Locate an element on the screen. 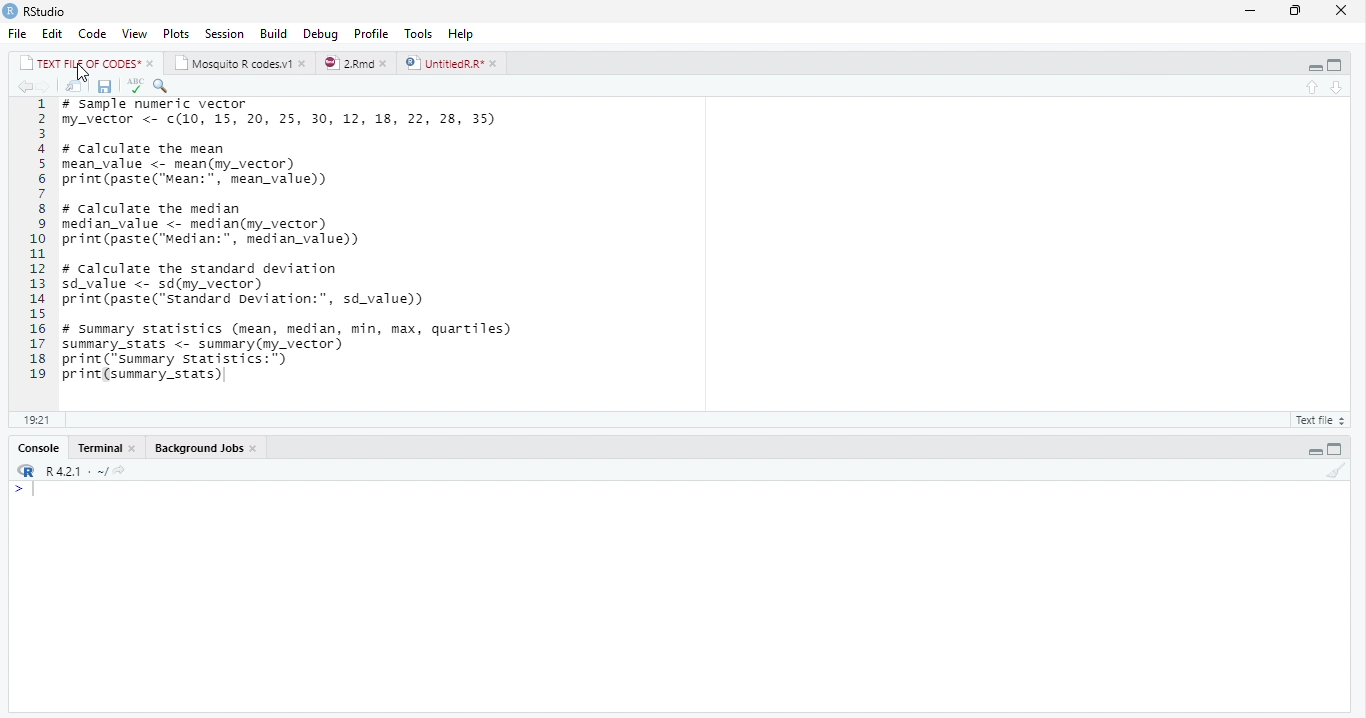  RStudio is located at coordinates (47, 12).